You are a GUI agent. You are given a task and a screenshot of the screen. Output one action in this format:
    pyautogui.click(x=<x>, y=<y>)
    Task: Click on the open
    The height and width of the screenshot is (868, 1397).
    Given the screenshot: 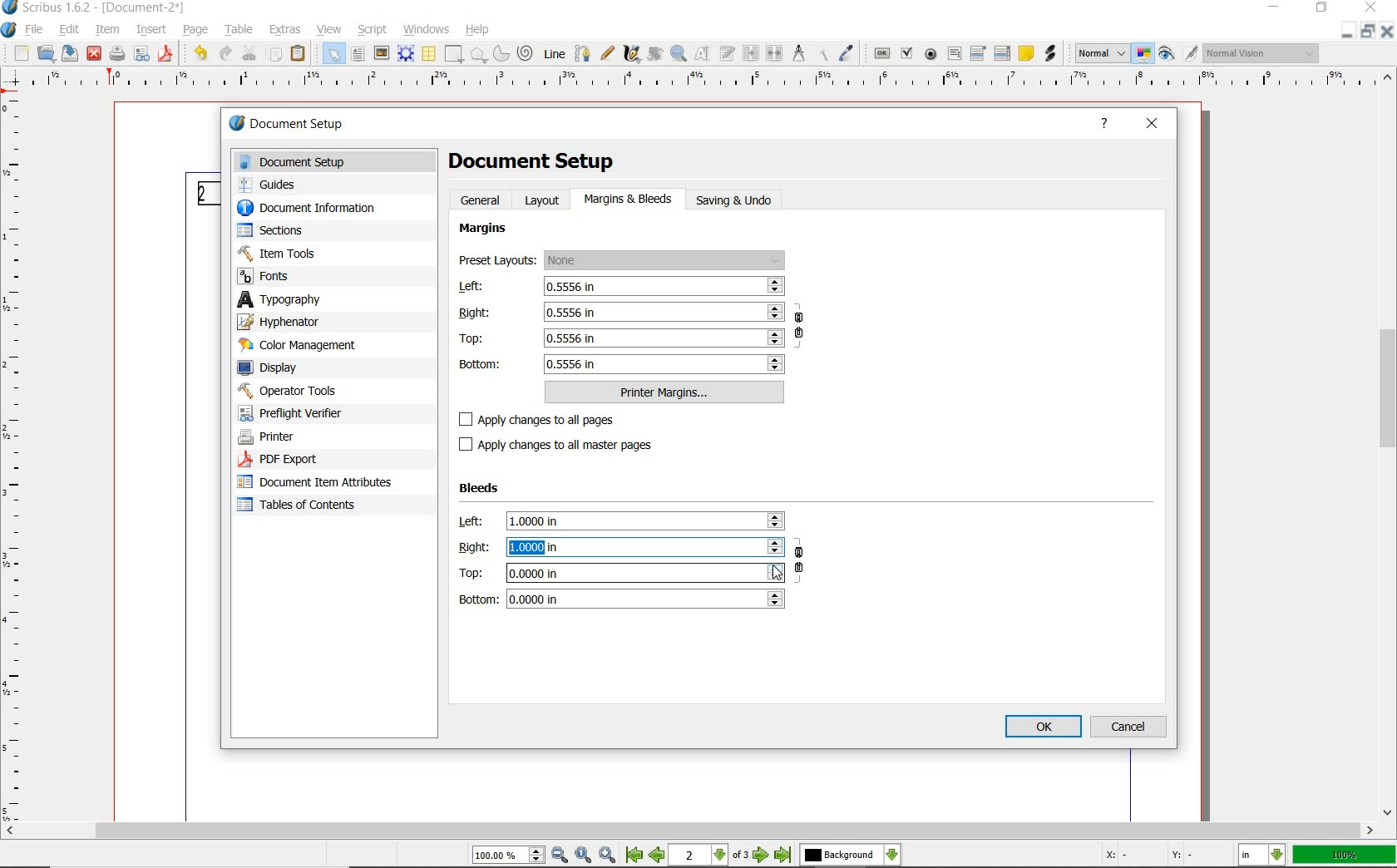 What is the action you would take?
    pyautogui.click(x=47, y=55)
    